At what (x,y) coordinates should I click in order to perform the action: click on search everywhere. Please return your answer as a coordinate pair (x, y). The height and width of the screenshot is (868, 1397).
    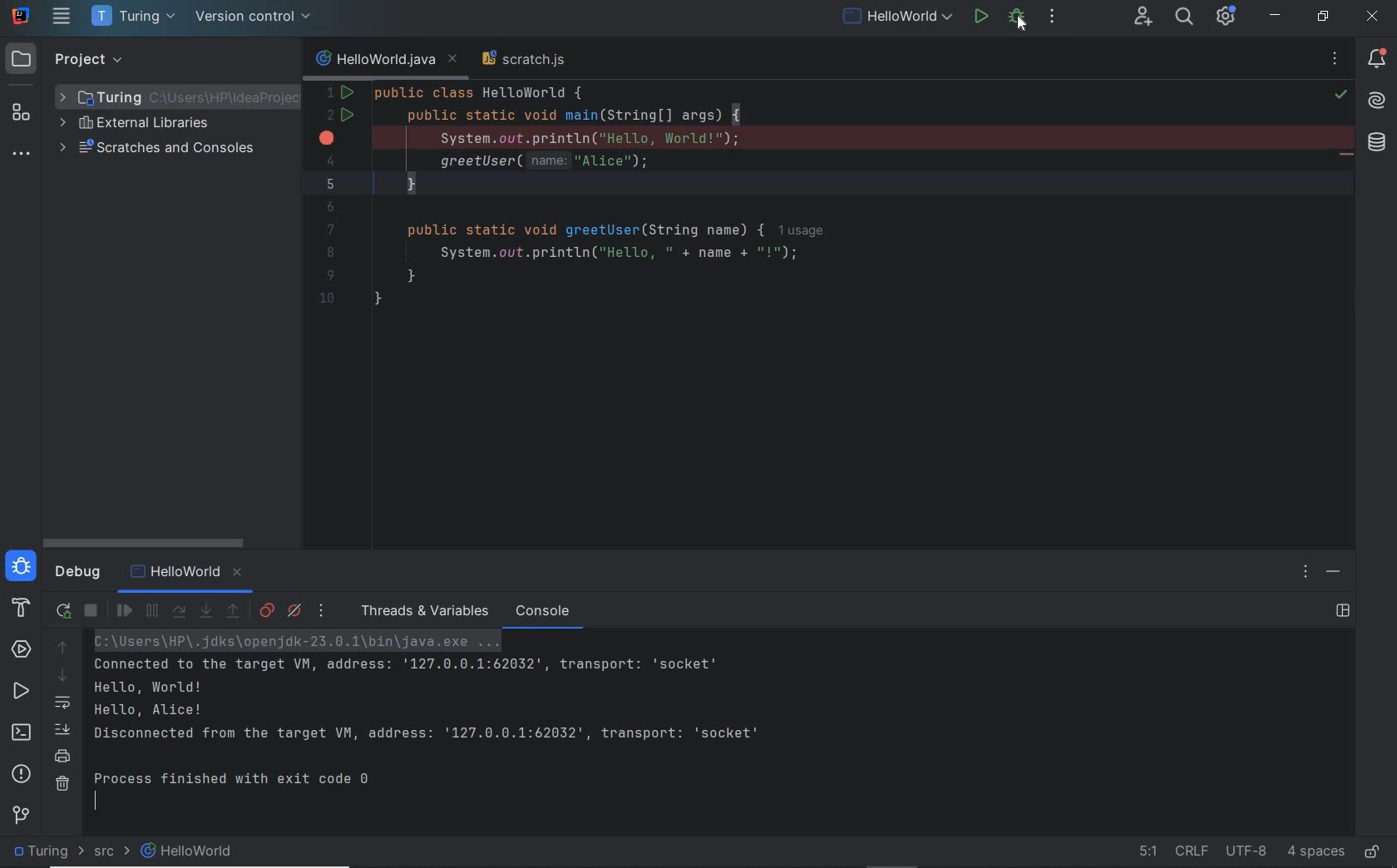
    Looking at the image, I should click on (1184, 18).